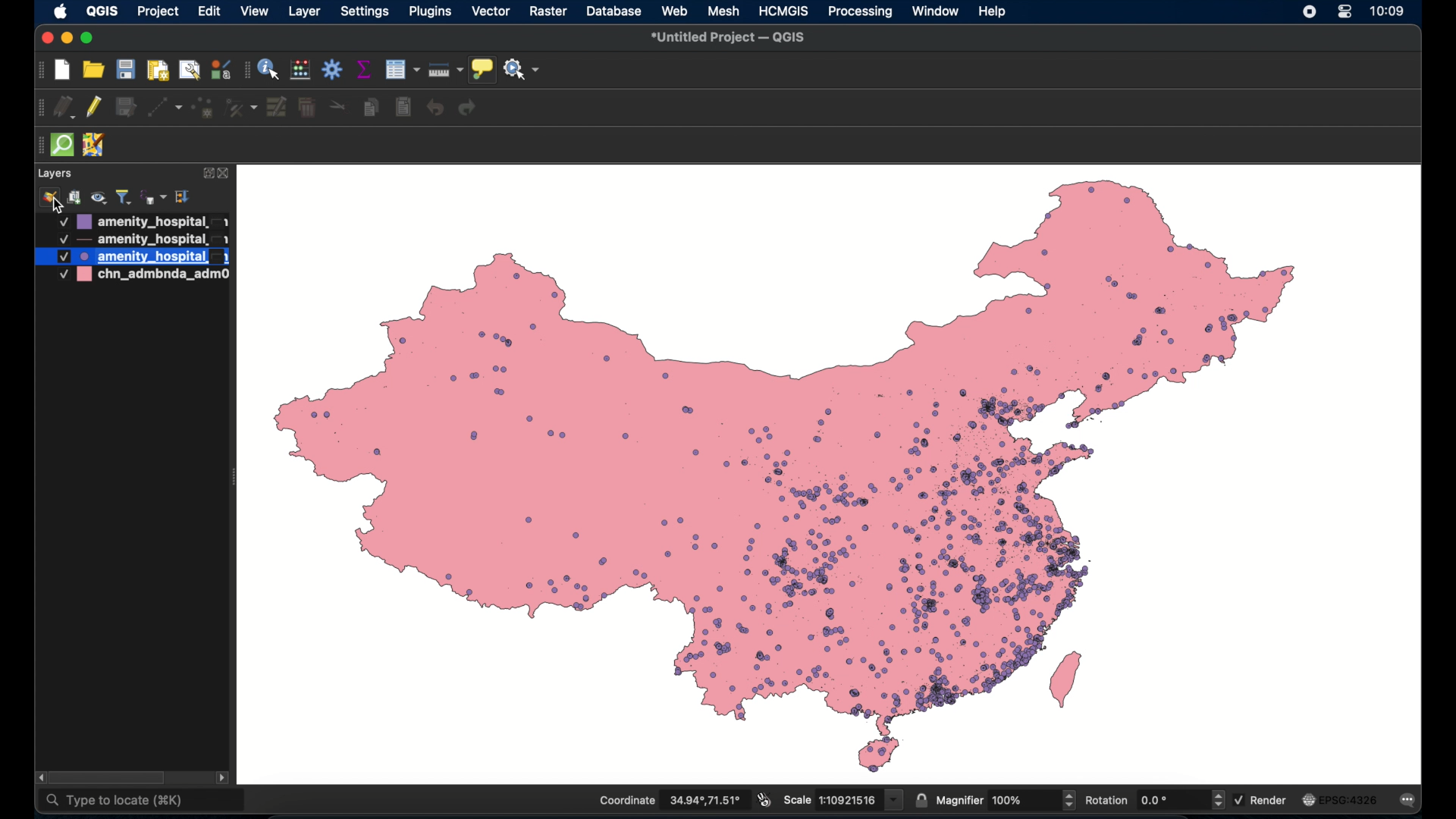 The width and height of the screenshot is (1456, 819). Describe the element at coordinates (482, 68) in the screenshot. I see `show map tips` at that location.